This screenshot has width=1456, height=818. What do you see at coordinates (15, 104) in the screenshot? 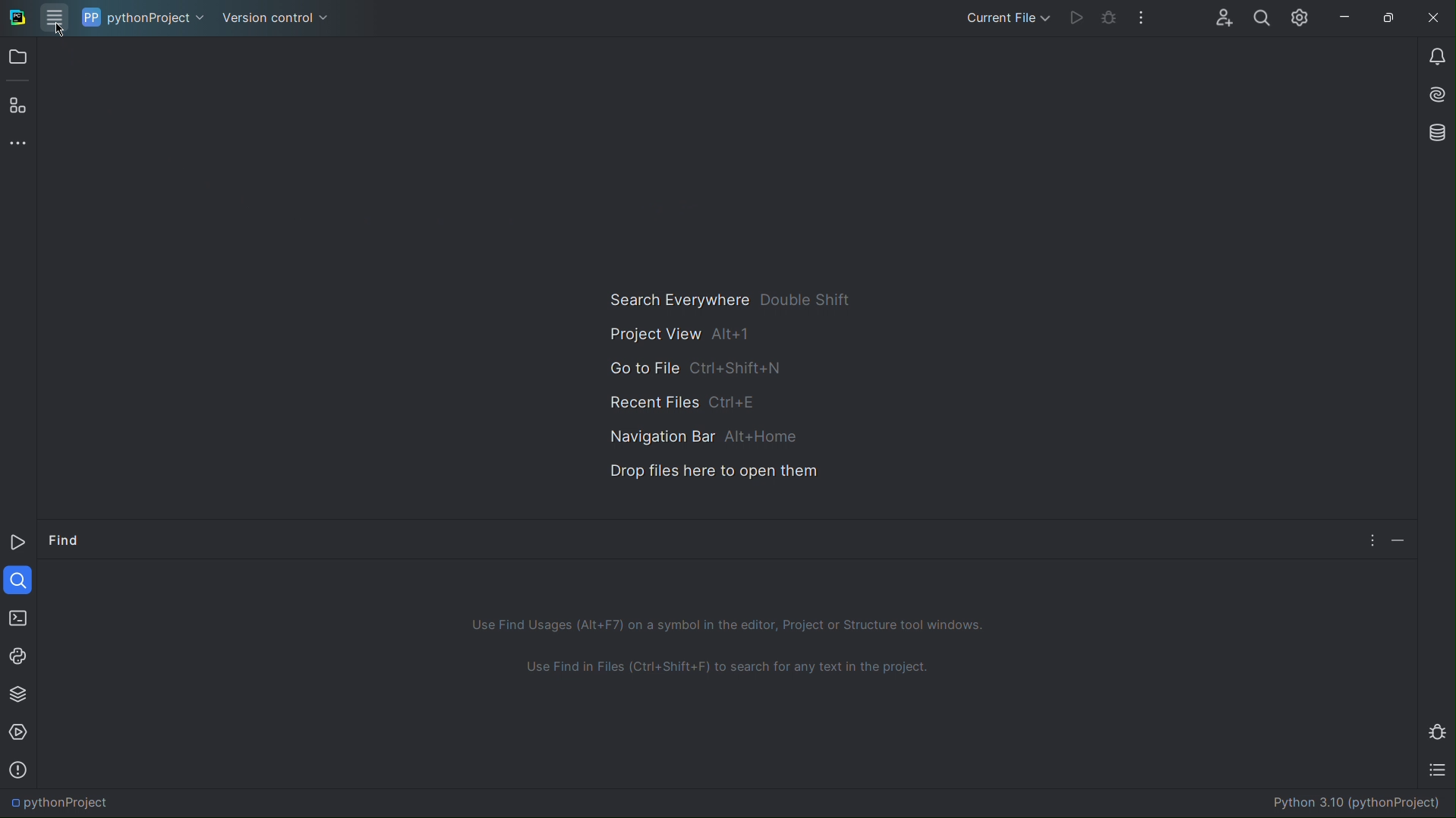
I see `Structure` at bounding box center [15, 104].